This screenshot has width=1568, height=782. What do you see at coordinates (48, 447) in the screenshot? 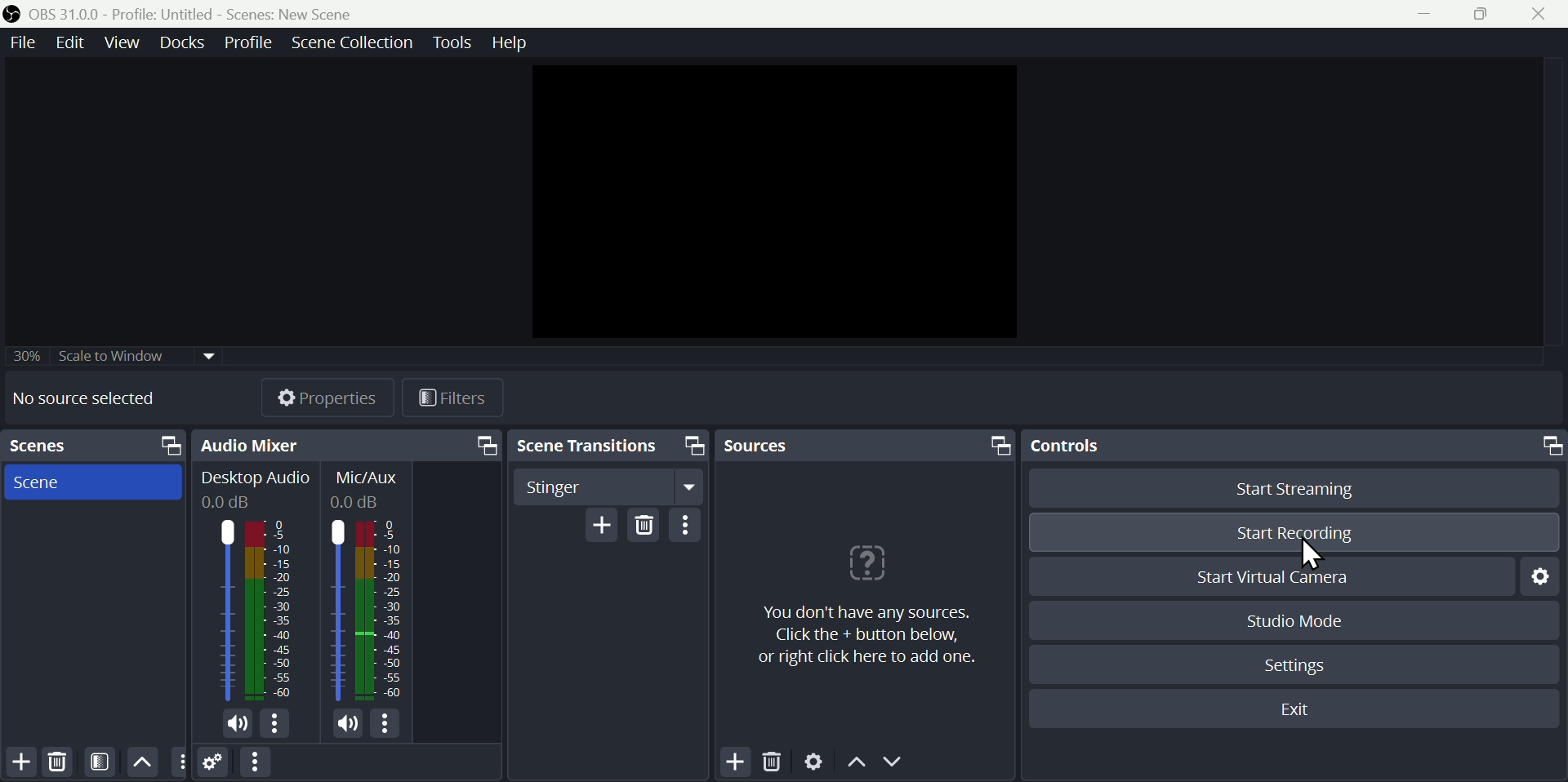
I see `scenes` at bounding box center [48, 447].